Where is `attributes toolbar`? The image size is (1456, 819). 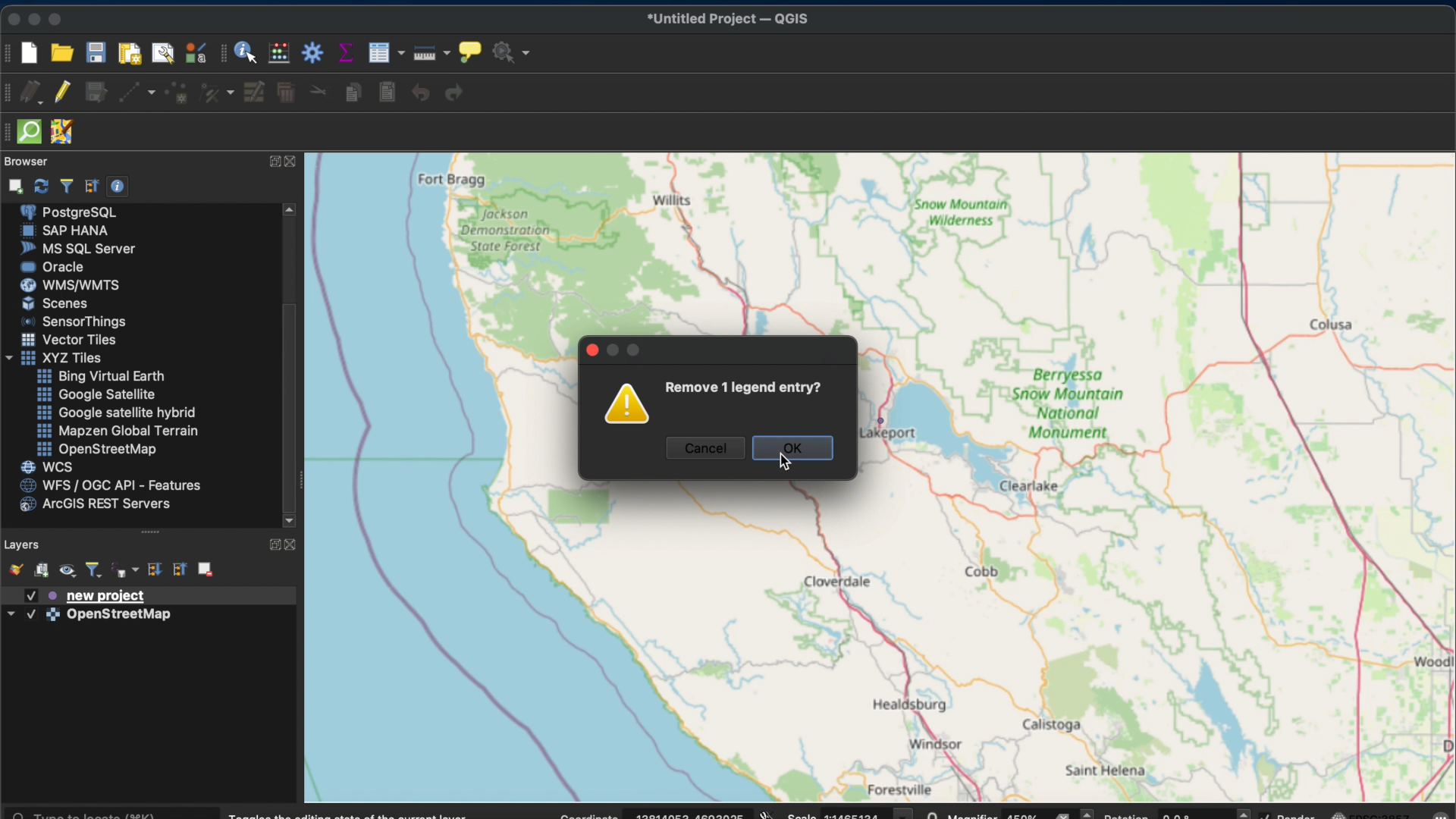
attributes toolbar is located at coordinates (224, 54).